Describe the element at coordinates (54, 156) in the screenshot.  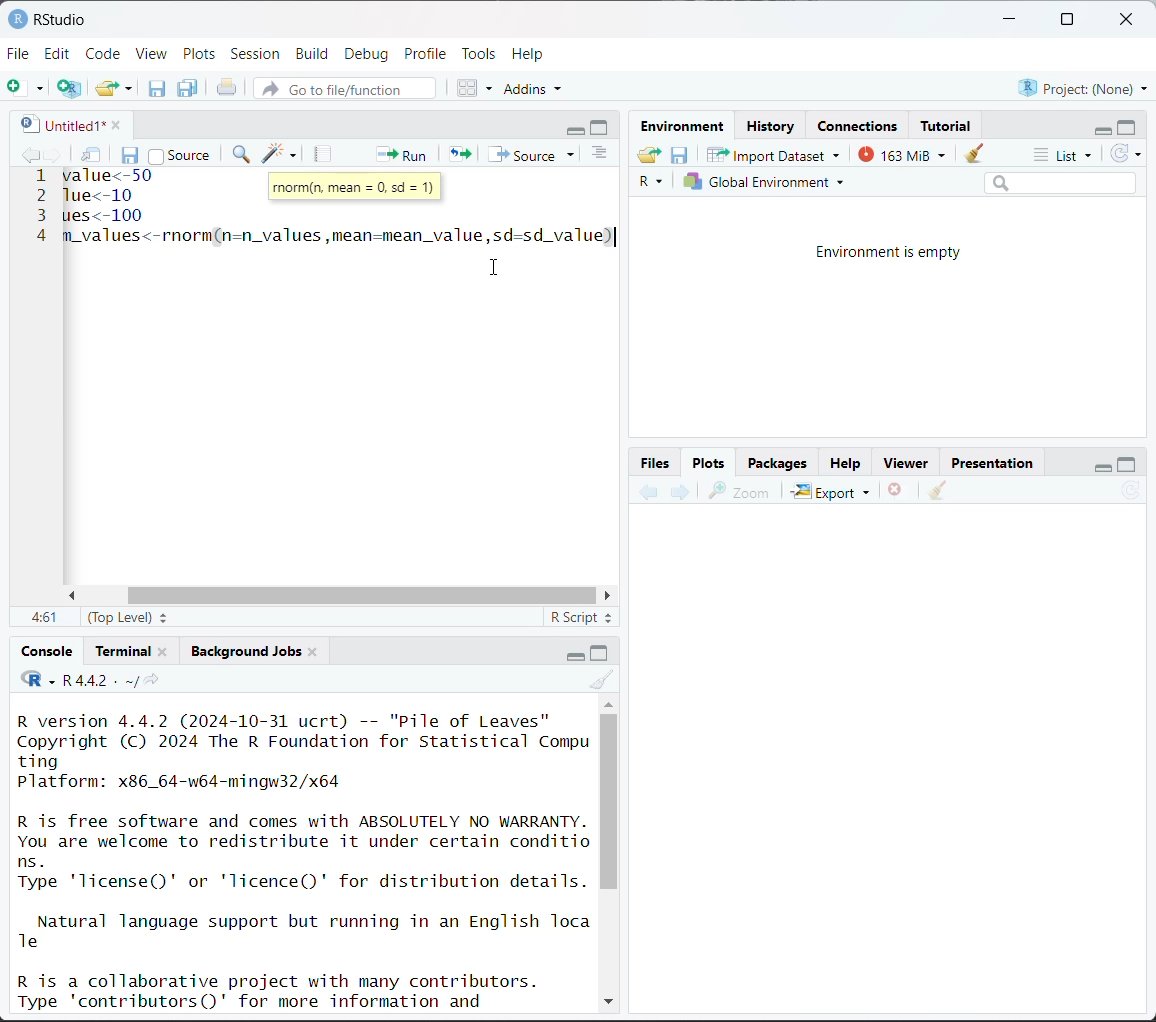
I see `go forward to next source location` at that location.